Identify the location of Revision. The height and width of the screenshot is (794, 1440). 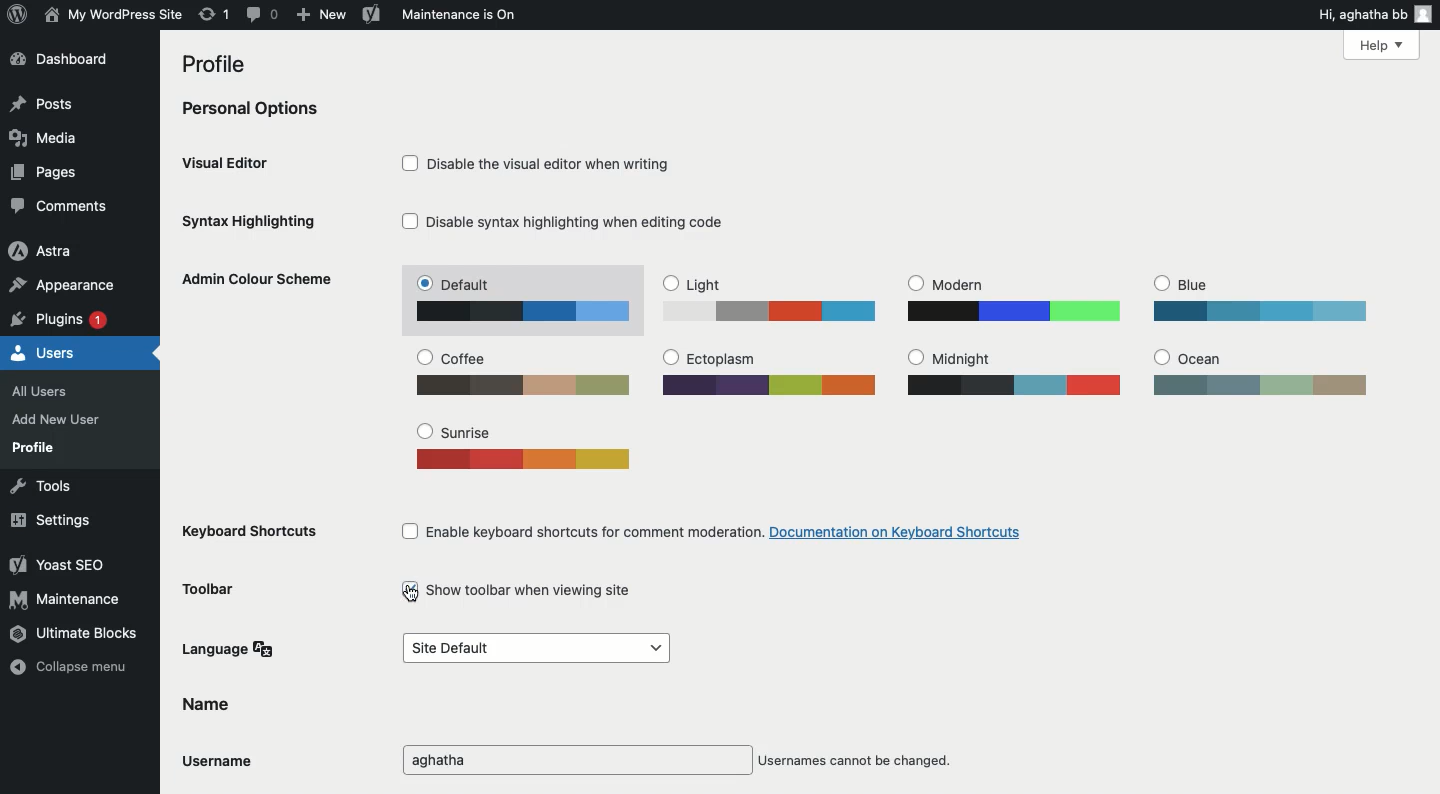
(214, 14).